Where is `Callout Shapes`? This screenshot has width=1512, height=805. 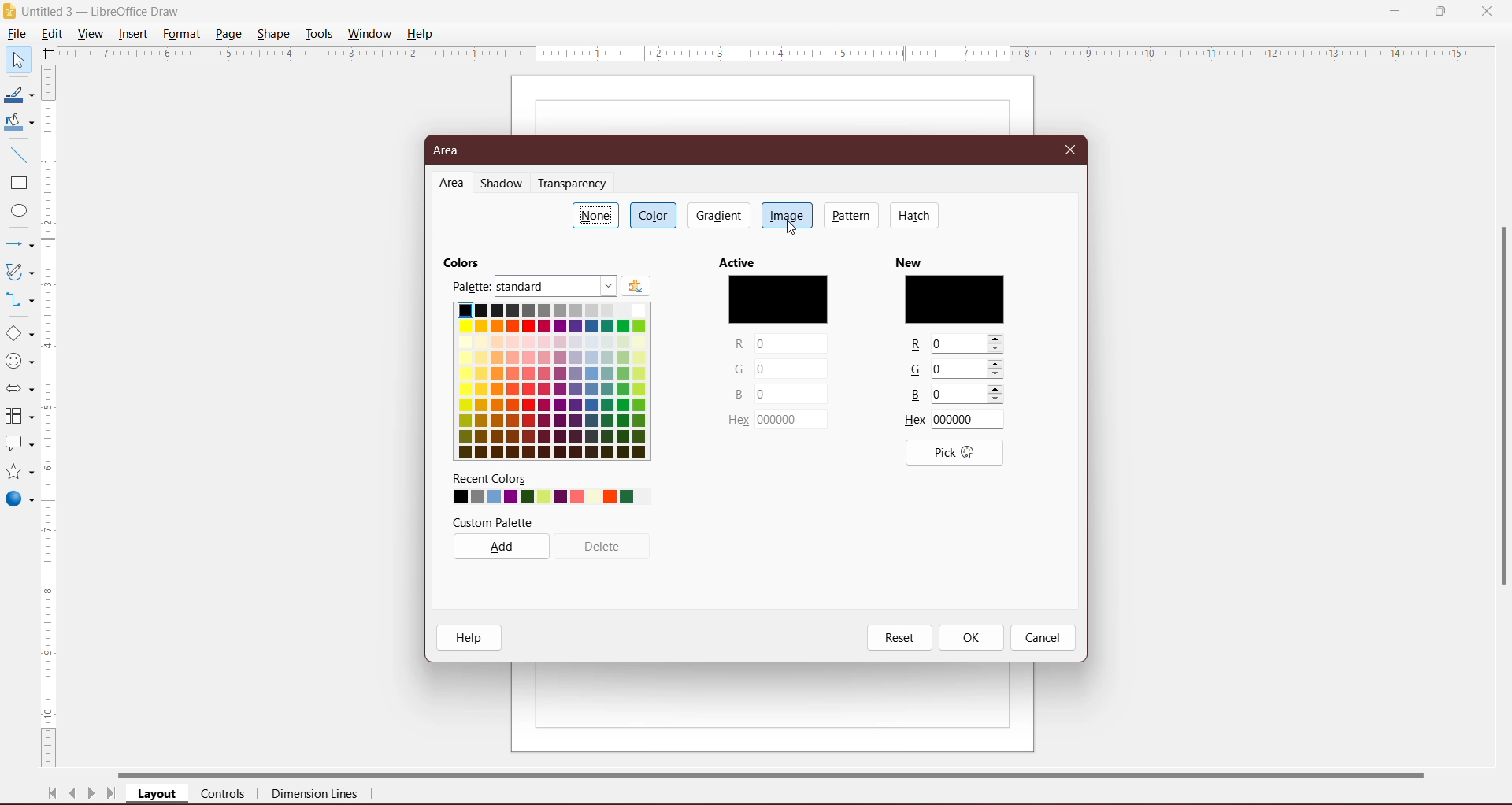 Callout Shapes is located at coordinates (18, 445).